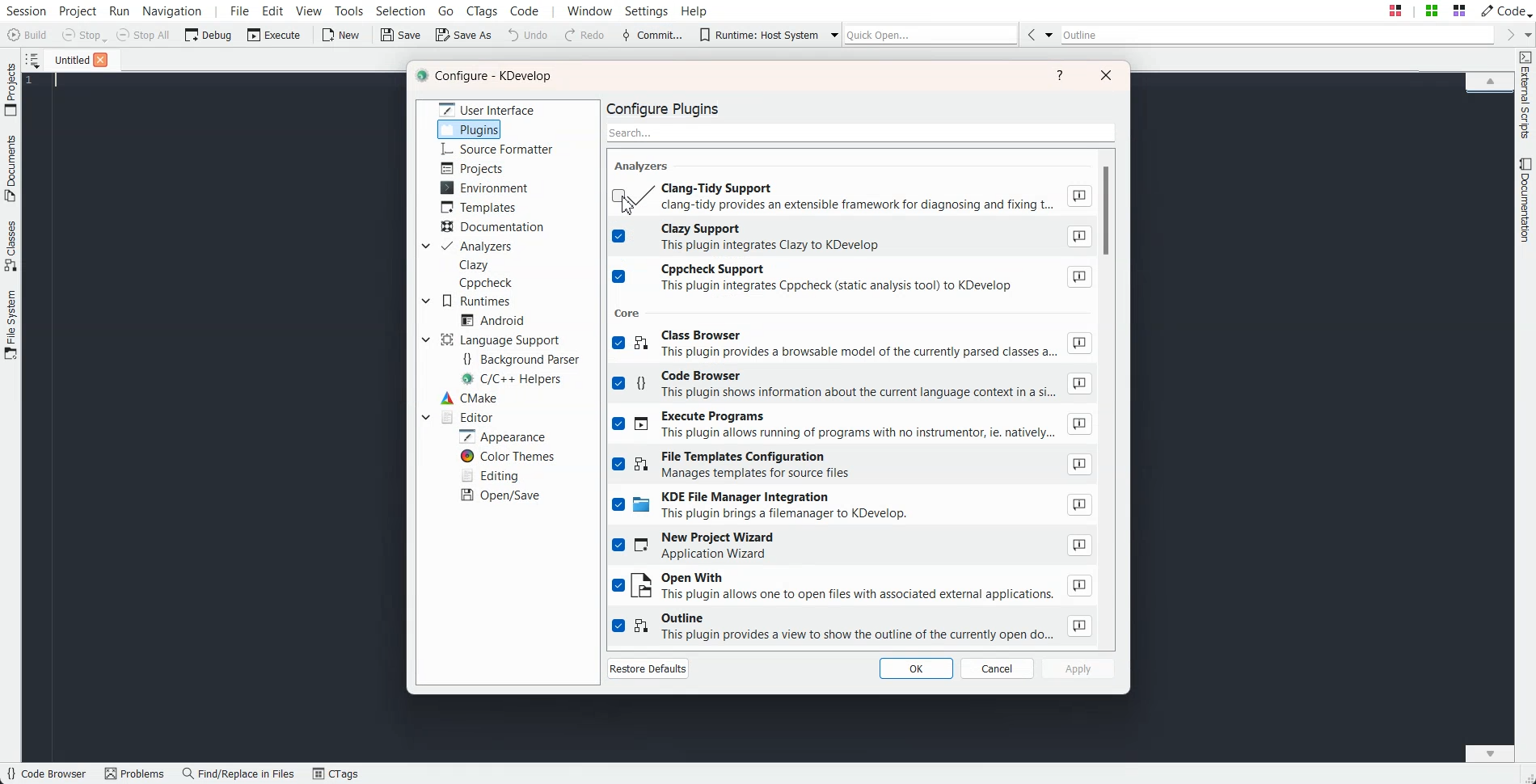 The height and width of the screenshot is (784, 1536). What do you see at coordinates (585, 36) in the screenshot?
I see `Redo` at bounding box center [585, 36].